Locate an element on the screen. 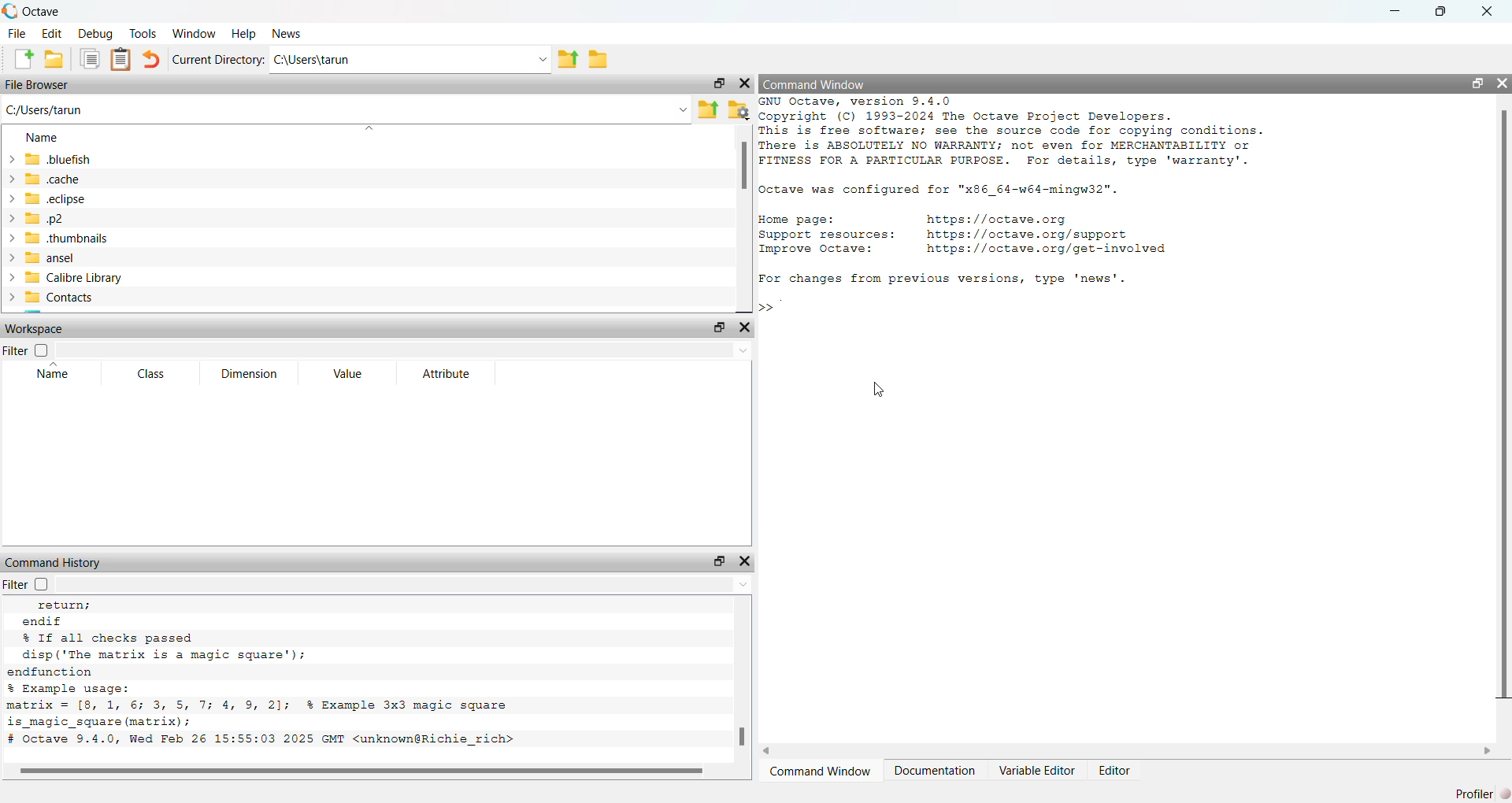 Image resolution: width=1512 pixels, height=803 pixels. Folder settings is located at coordinates (737, 110).